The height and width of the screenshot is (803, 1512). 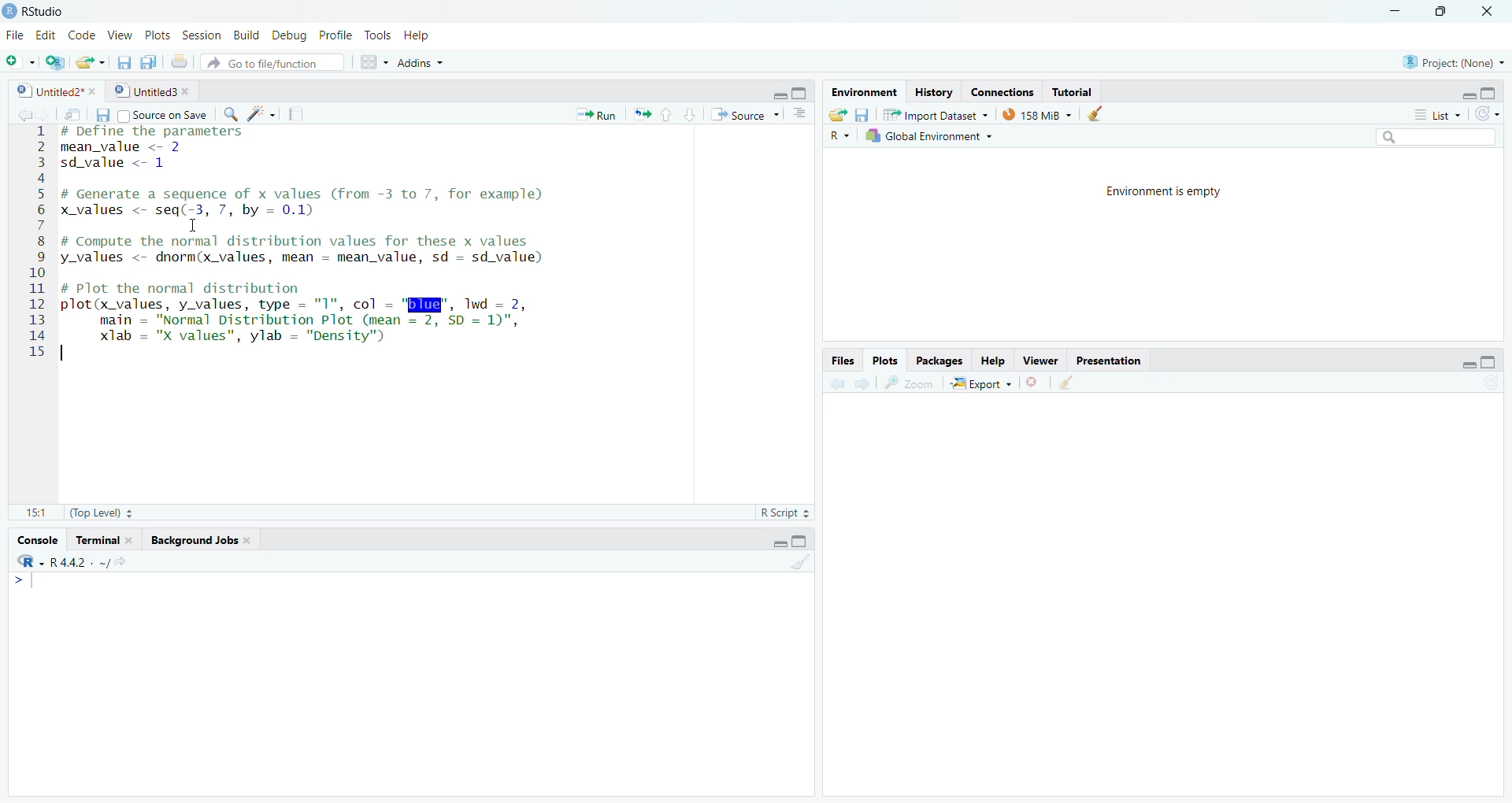 I want to click on 1 # Define the parameters

2 mean value <- 2

3 sdvalue <- 1

2

5 # Generate a sequence of x values (from -3 to 7, for example)
6 x values <- seq(-3, 7, by = 0.1)

7 I

8 # Compute the normal distribution values for these x values
9 y values <- dnorm(x_values, mean - mean value, sd - sd_value)
10

11 # Plot the normal distribution

12 plot(x values, y values, type = "1", col - "BIE", Twd - 2,
13 main = "Normal Distribution Plot (mean = 2, SD = 1)",
14 xlab = "X values”, ylab = "Density”)

15 |, so click(x=315, y=257).